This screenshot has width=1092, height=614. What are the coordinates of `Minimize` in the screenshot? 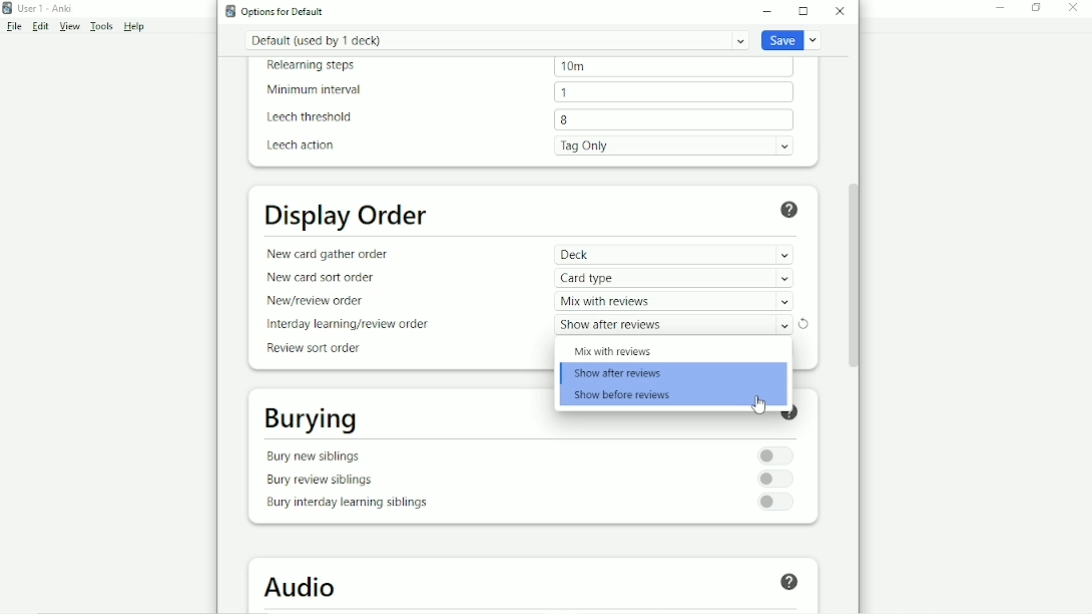 It's located at (768, 11).